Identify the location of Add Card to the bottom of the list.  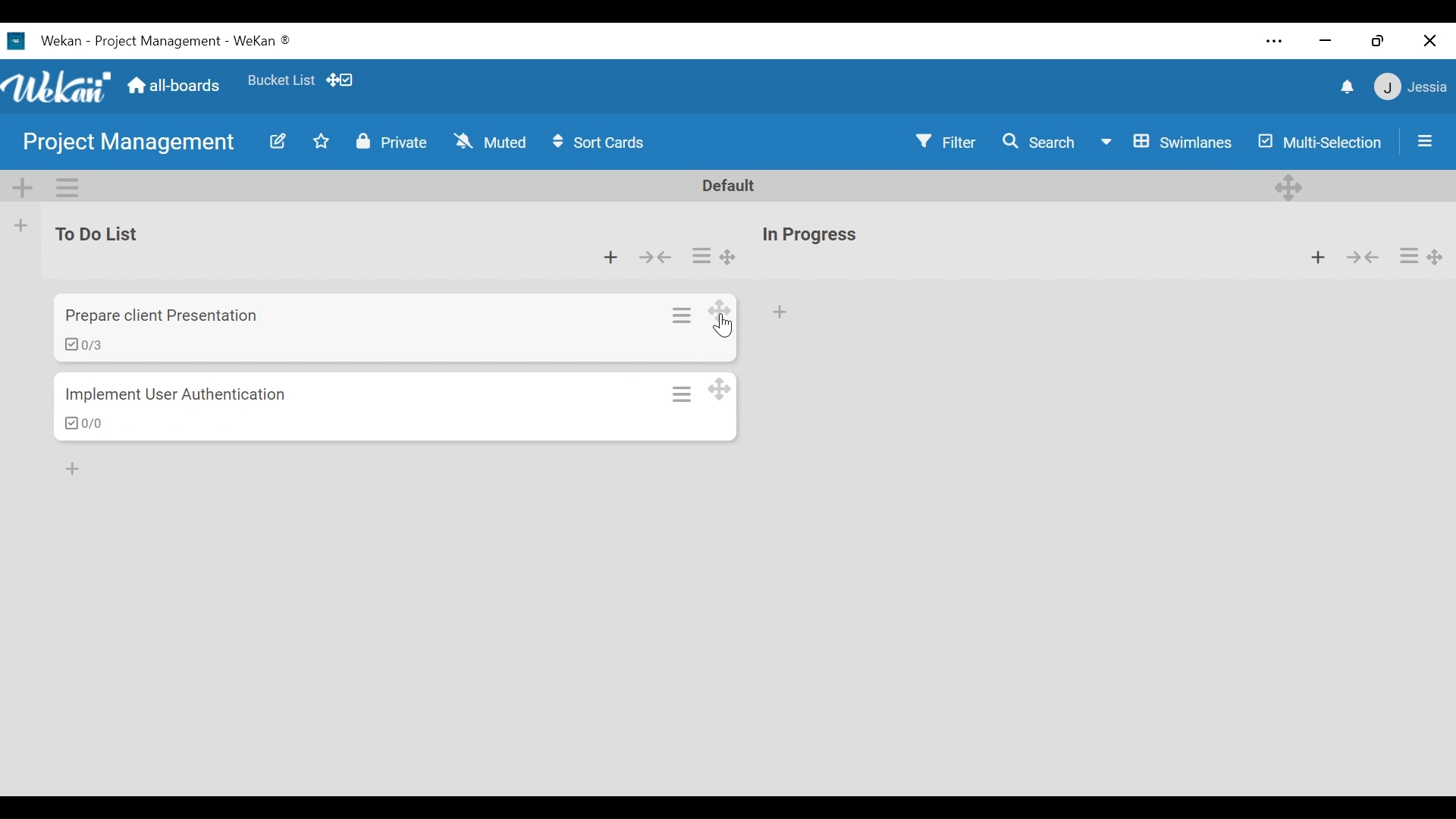
(780, 312).